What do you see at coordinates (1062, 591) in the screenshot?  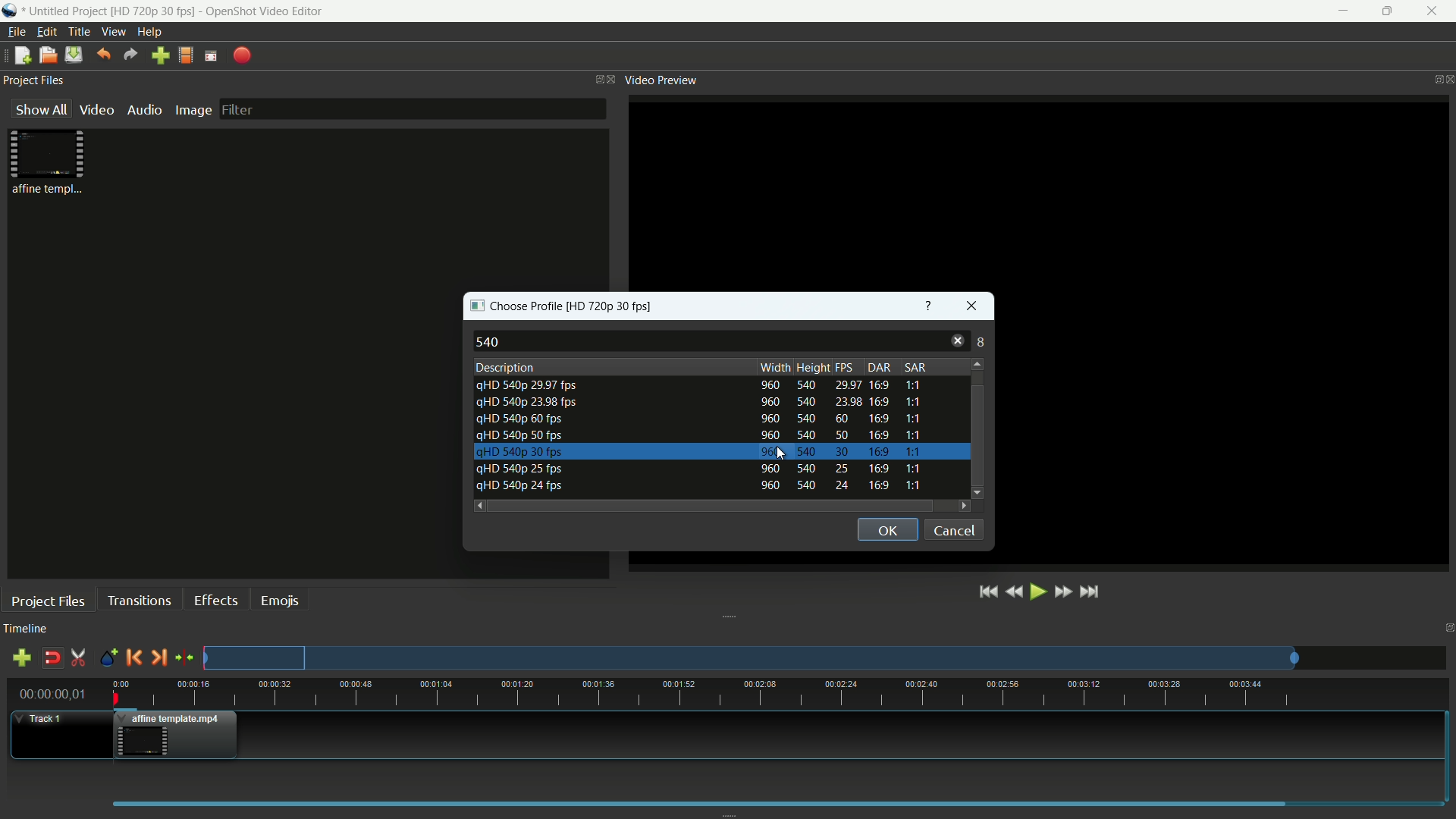 I see `fast forward` at bounding box center [1062, 591].